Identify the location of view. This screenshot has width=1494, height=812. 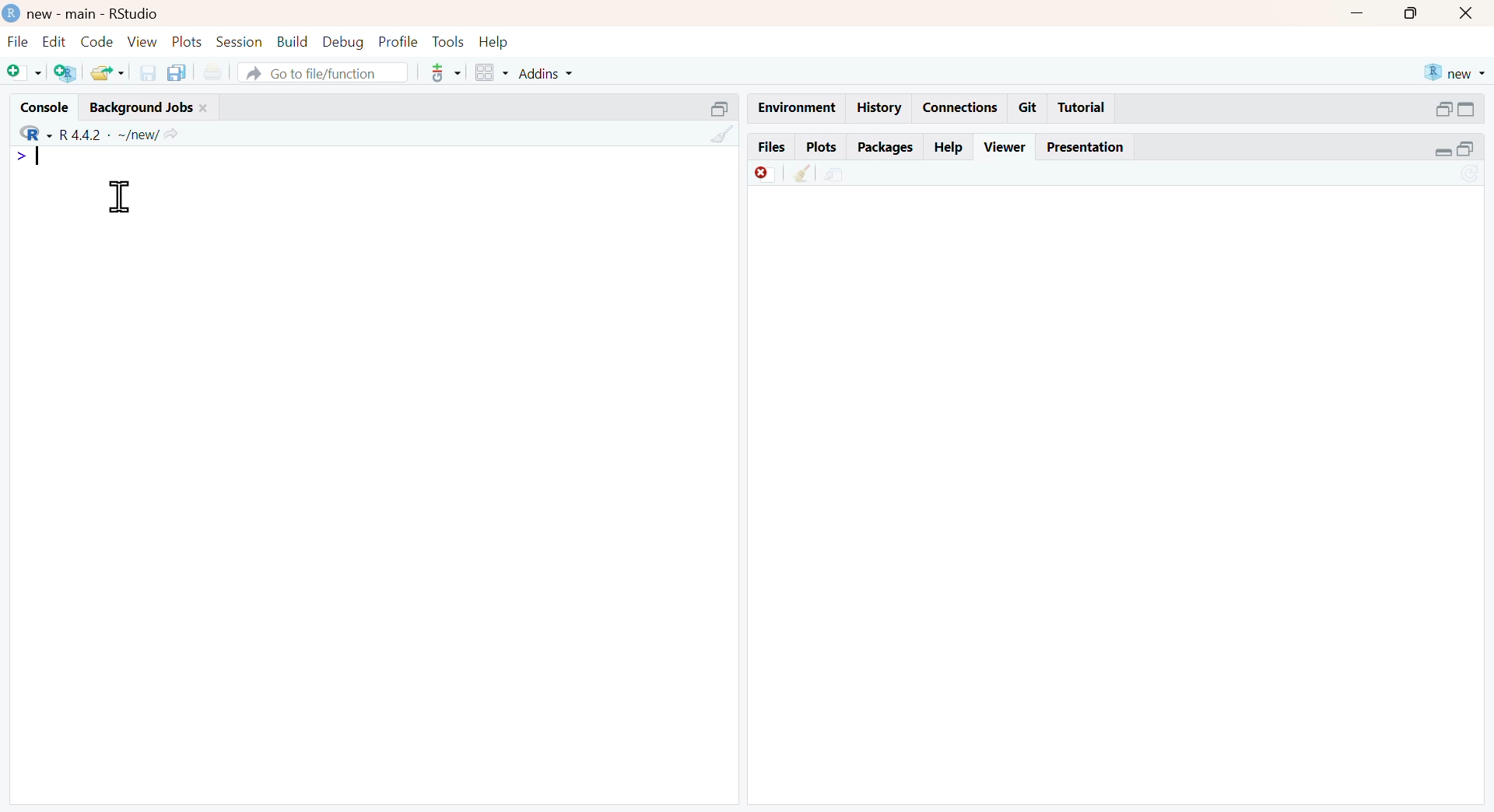
(142, 40).